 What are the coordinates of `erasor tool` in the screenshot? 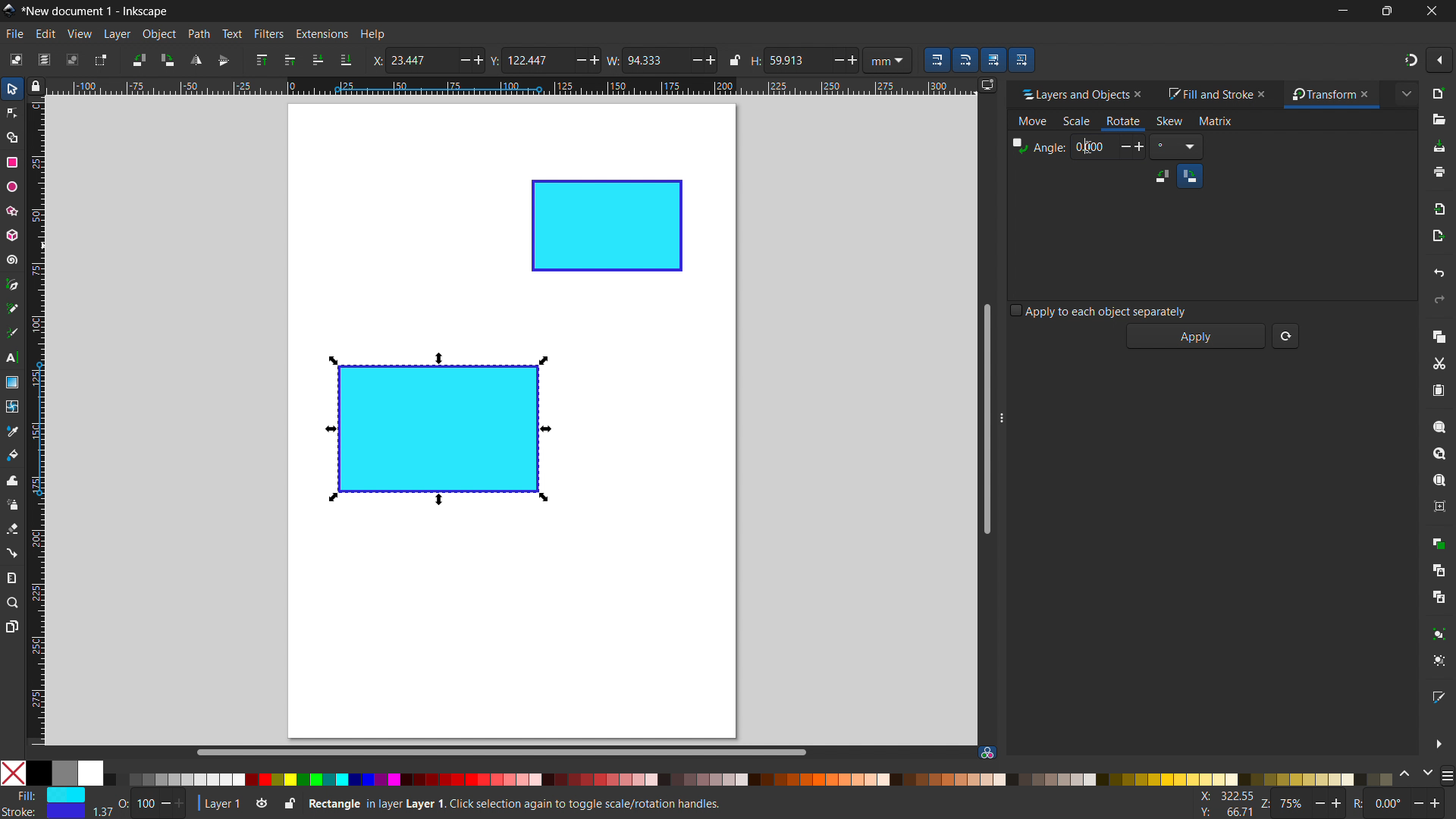 It's located at (12, 529).